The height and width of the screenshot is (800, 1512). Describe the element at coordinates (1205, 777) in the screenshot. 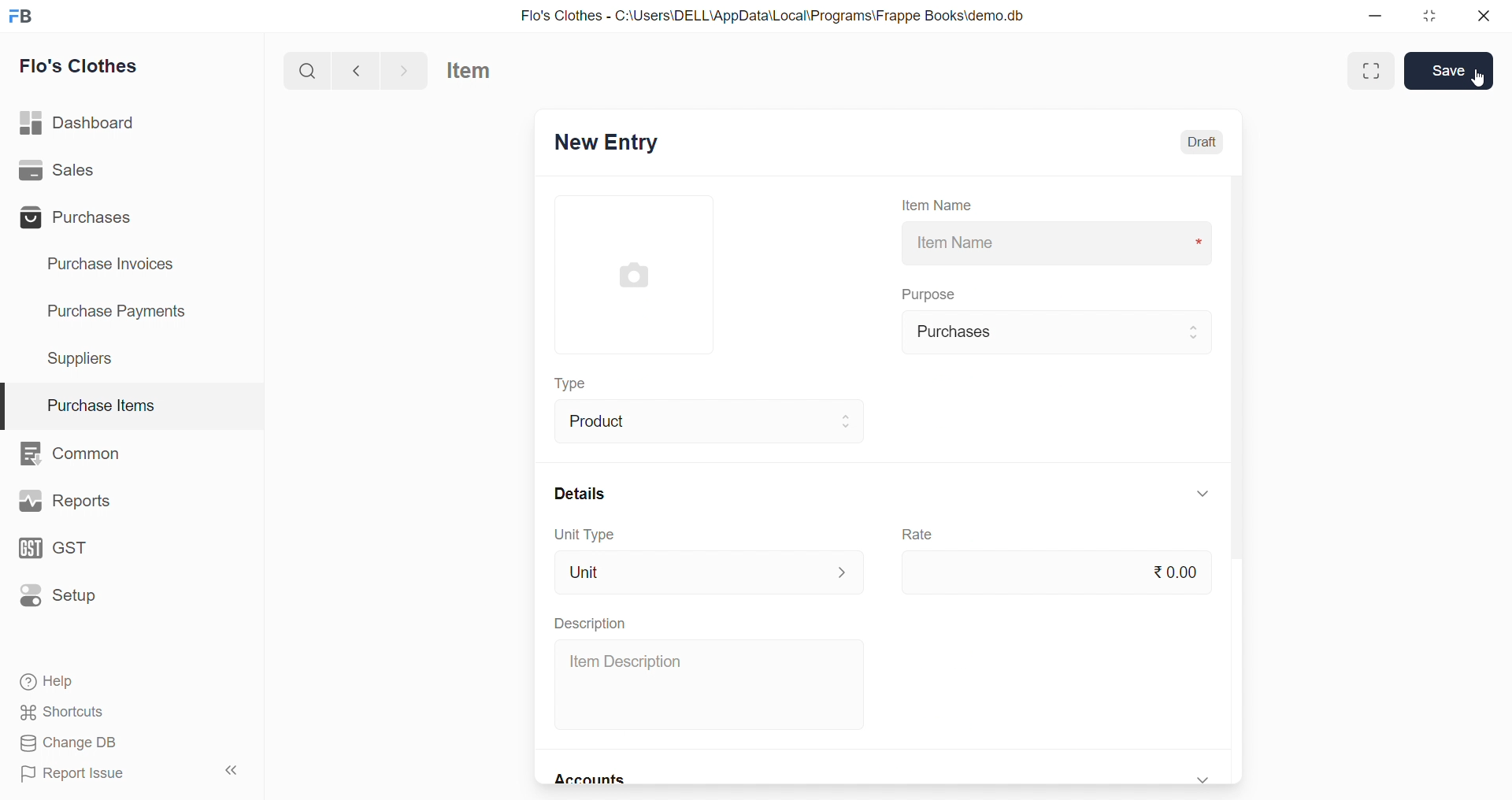

I see `expand/collapse` at that location.